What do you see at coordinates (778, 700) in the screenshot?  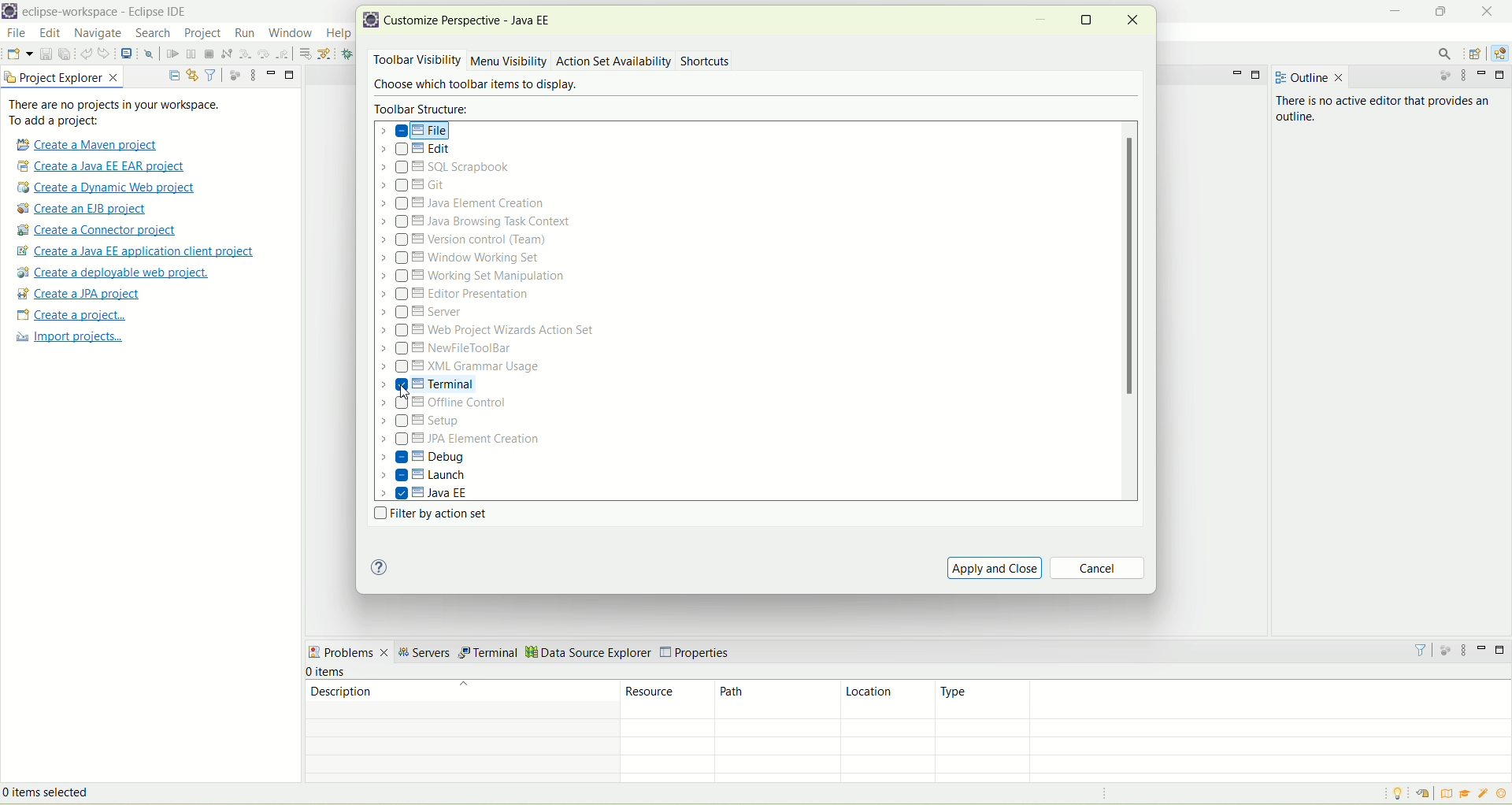 I see `path` at bounding box center [778, 700].